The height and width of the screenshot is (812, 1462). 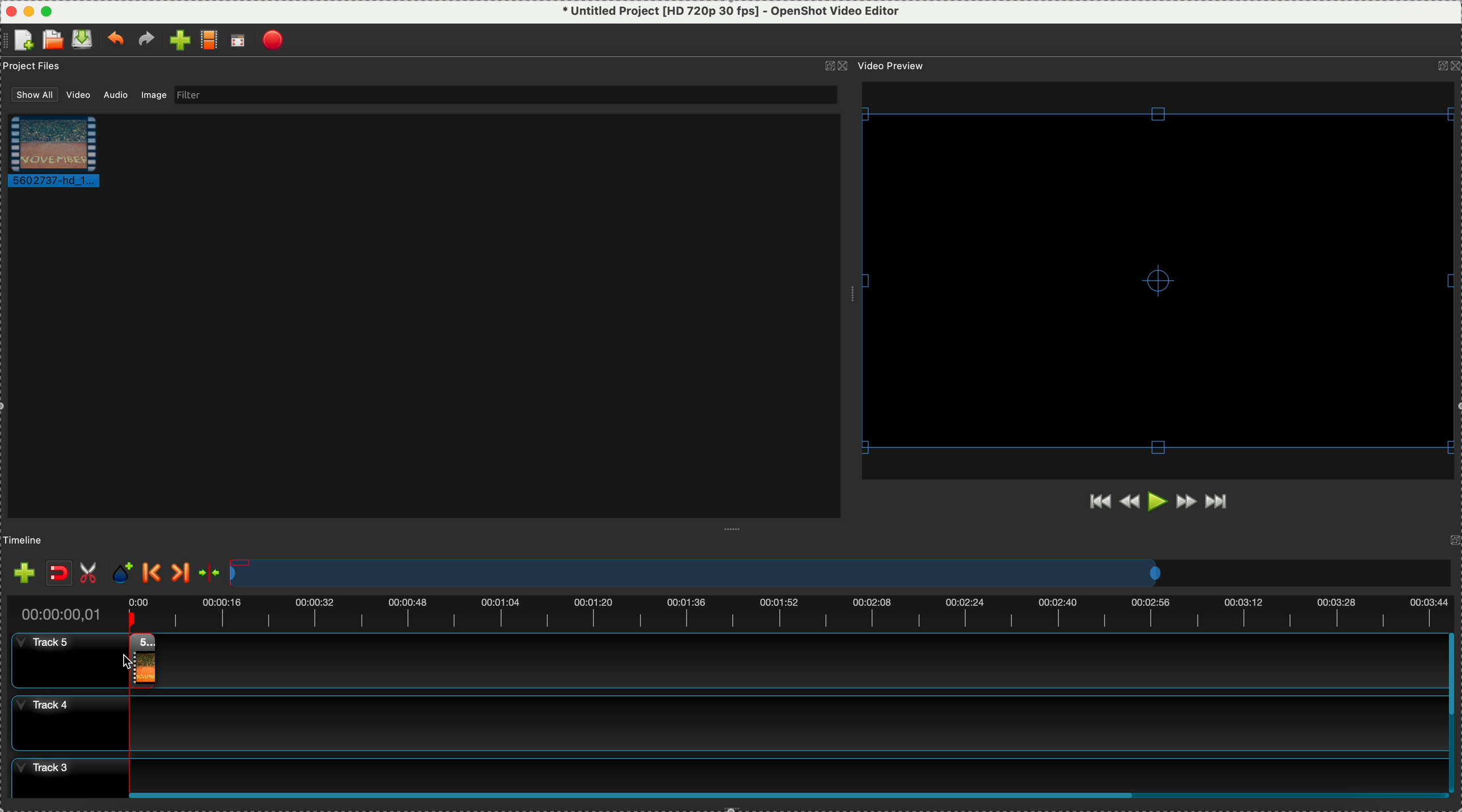 What do you see at coordinates (115, 40) in the screenshot?
I see `undo` at bounding box center [115, 40].